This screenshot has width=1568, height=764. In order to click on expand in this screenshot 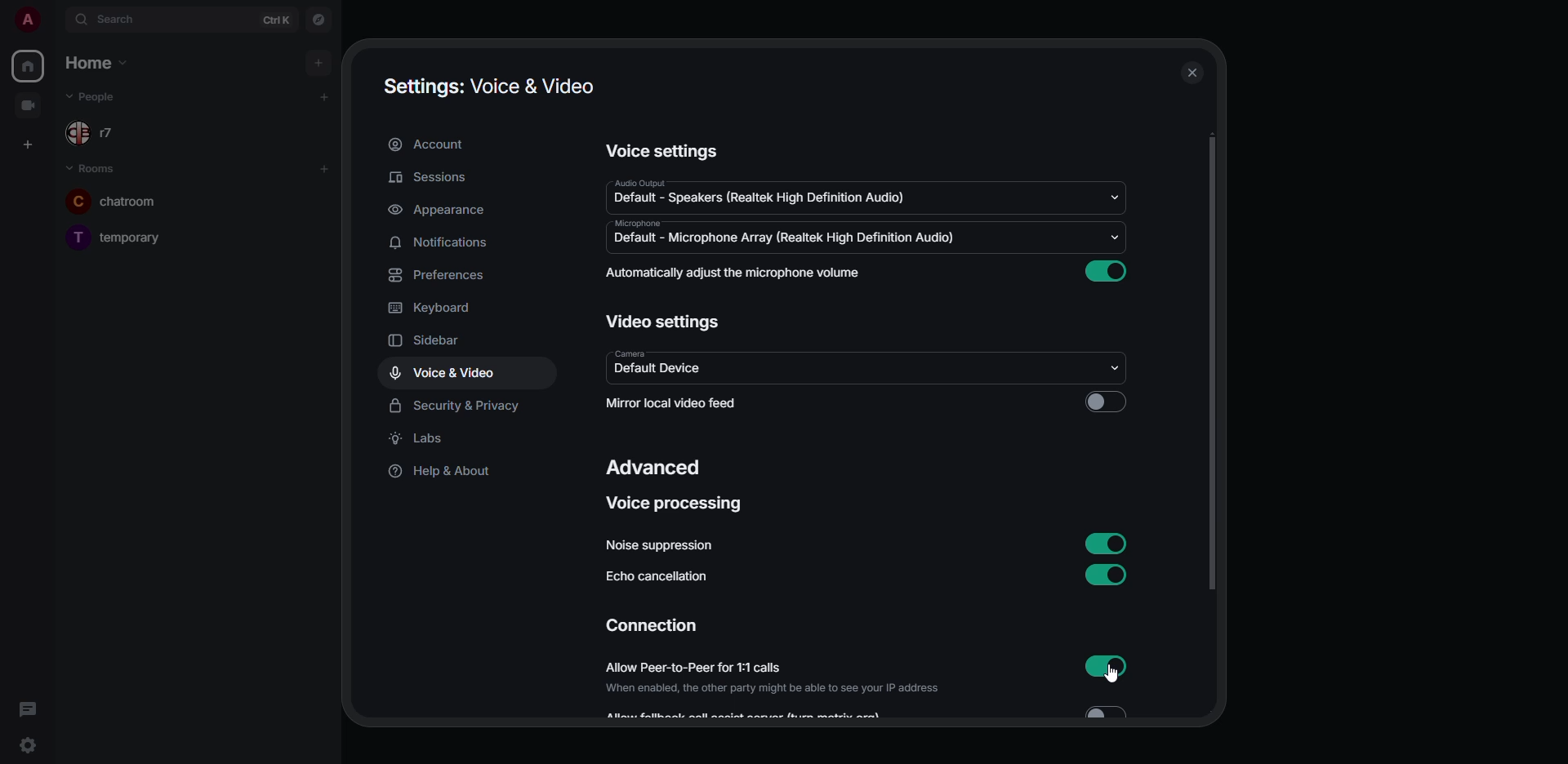, I will do `click(54, 21)`.